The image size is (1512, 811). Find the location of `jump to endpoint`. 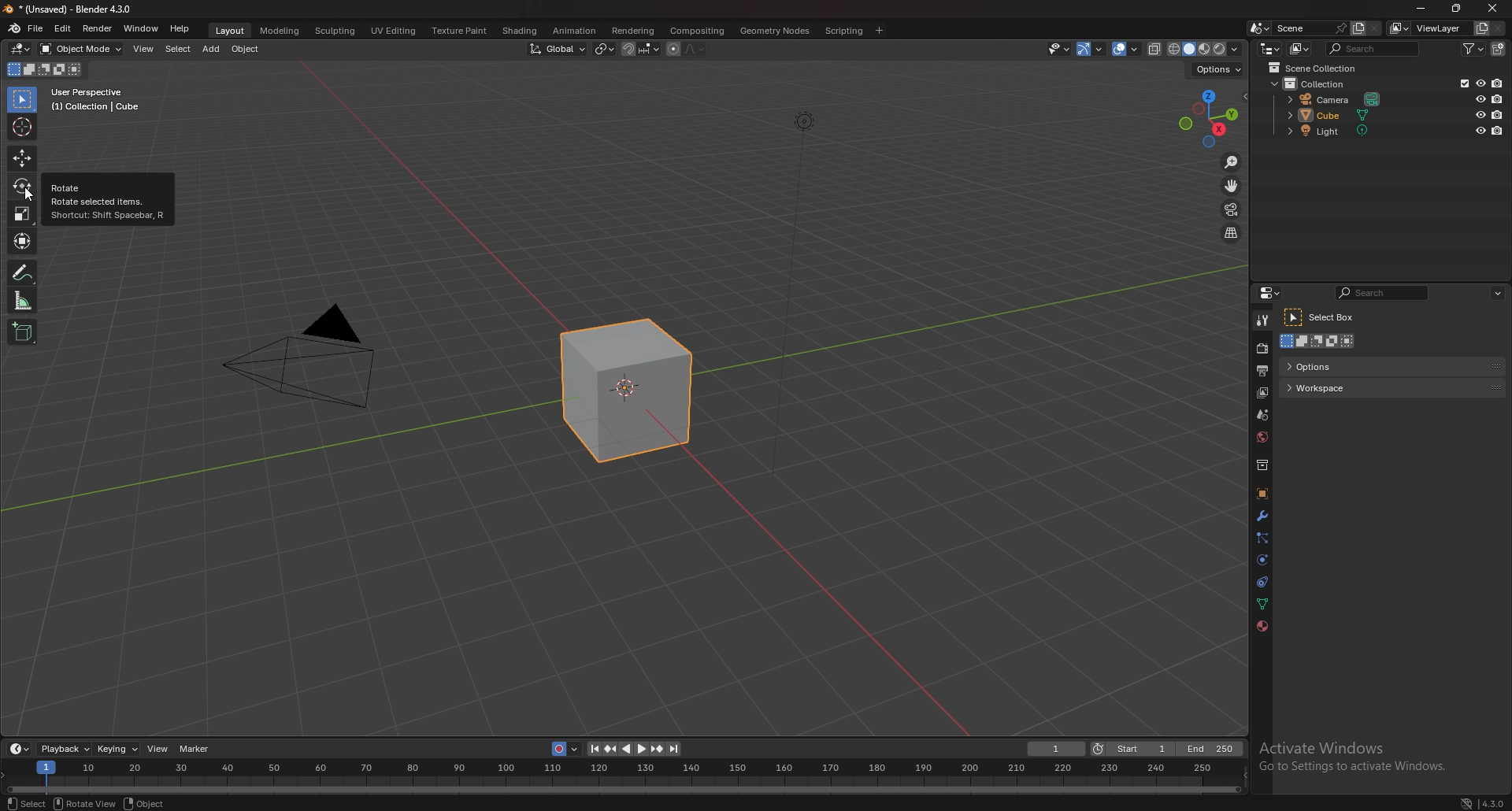

jump to endpoint is located at coordinates (675, 748).